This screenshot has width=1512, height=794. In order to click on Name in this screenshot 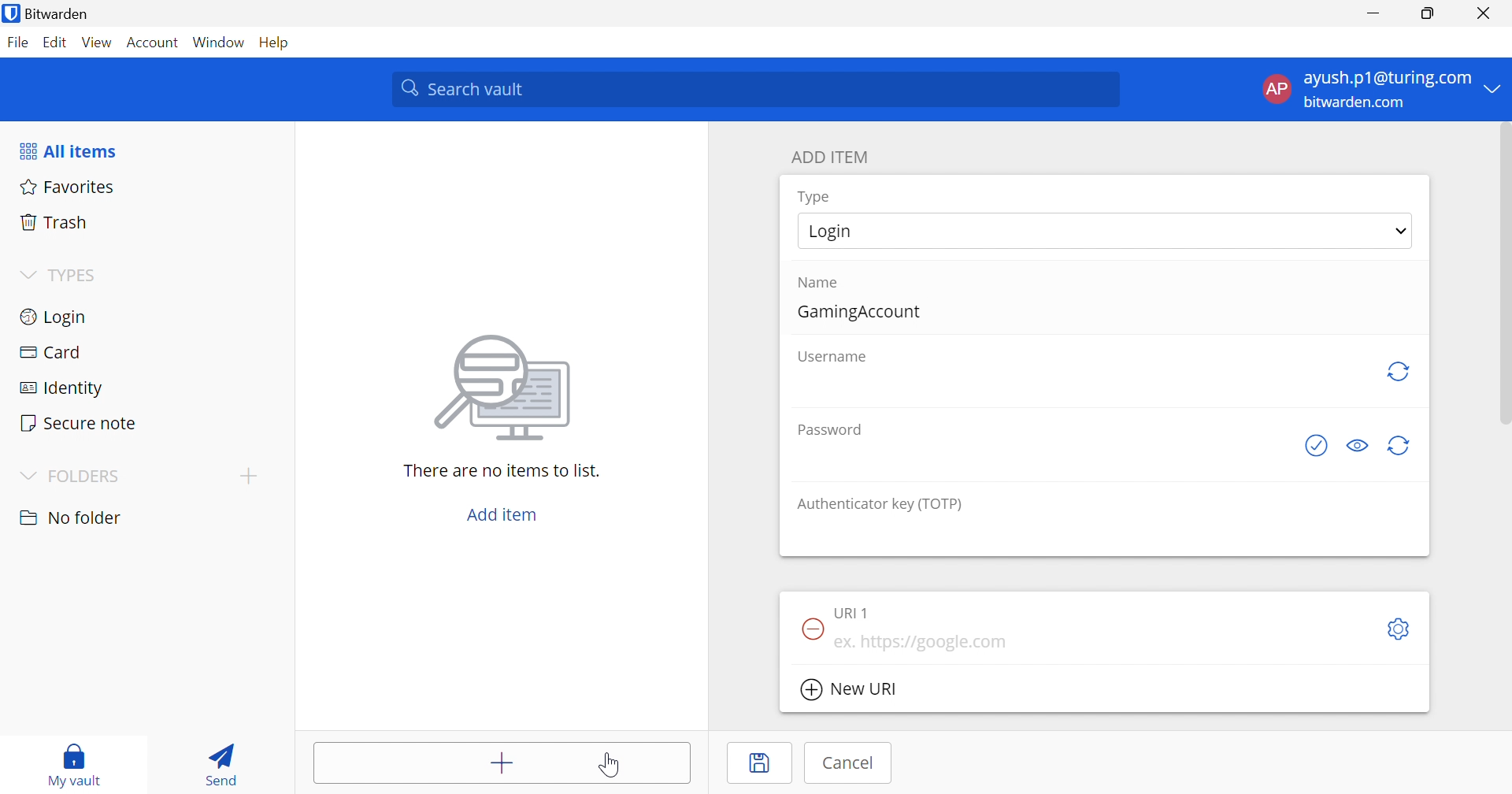, I will do `click(821, 284)`.